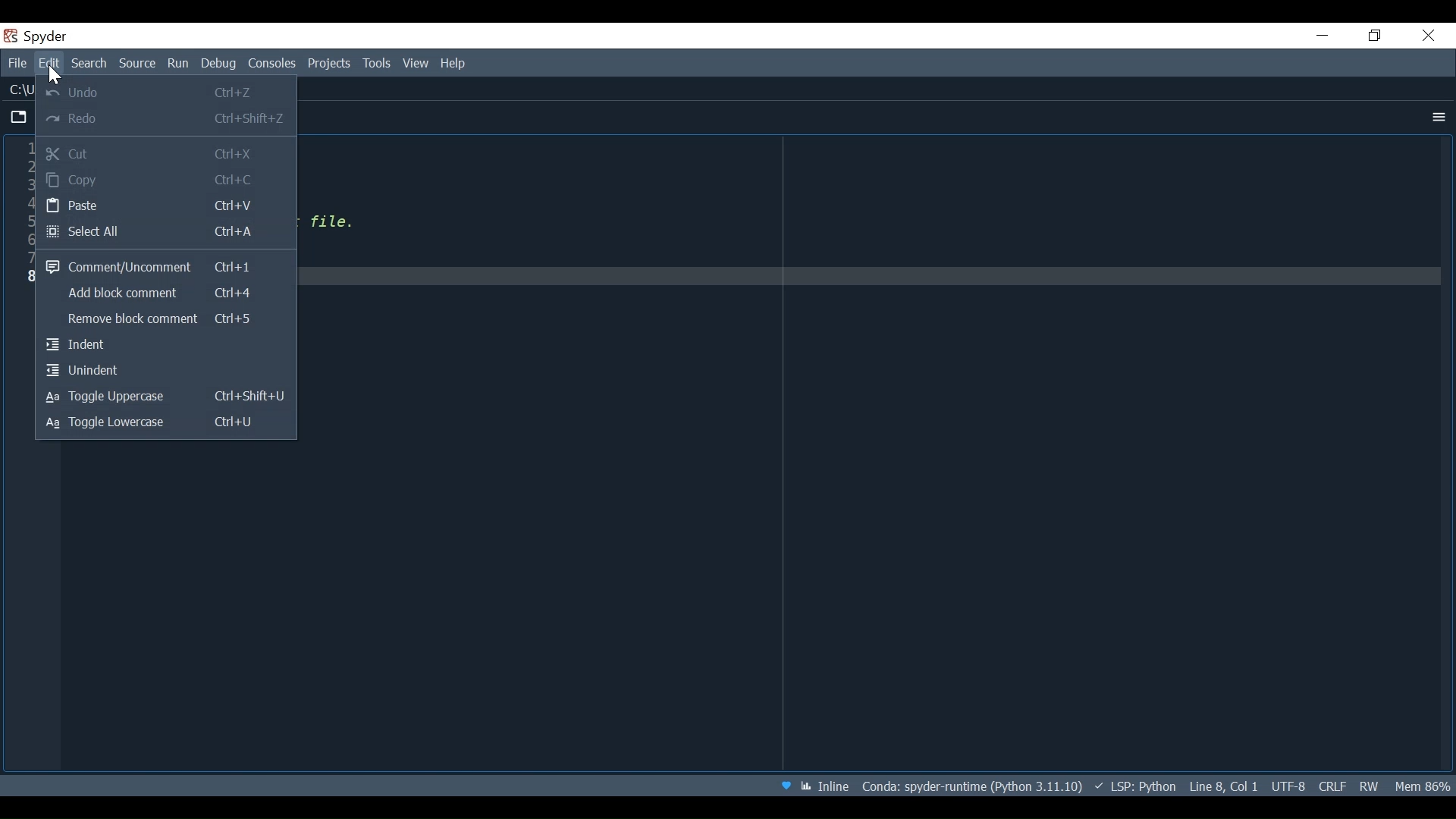 Image resolution: width=1456 pixels, height=819 pixels. I want to click on Memory Usage, so click(1422, 786).